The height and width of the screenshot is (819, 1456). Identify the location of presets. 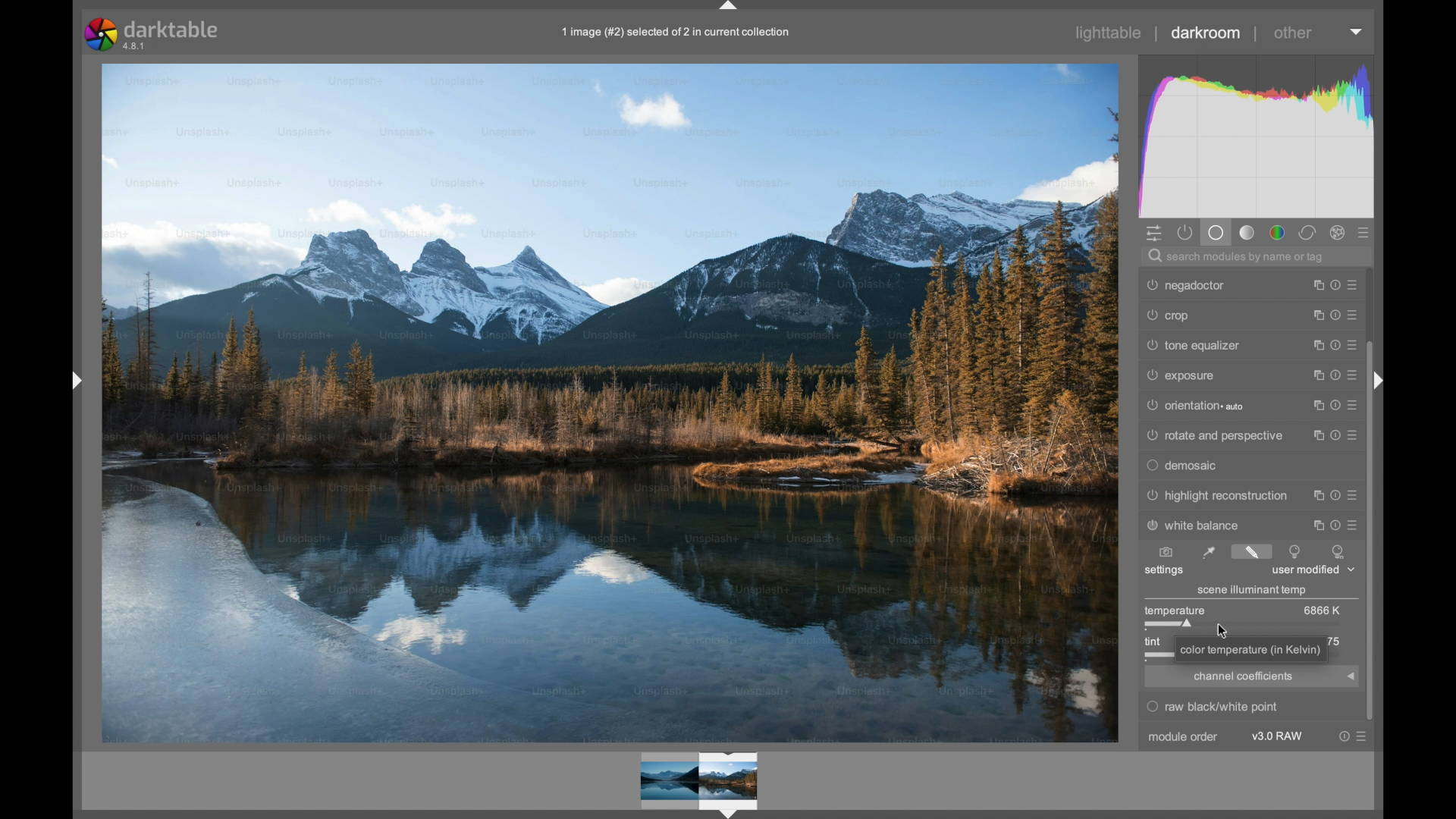
(1357, 523).